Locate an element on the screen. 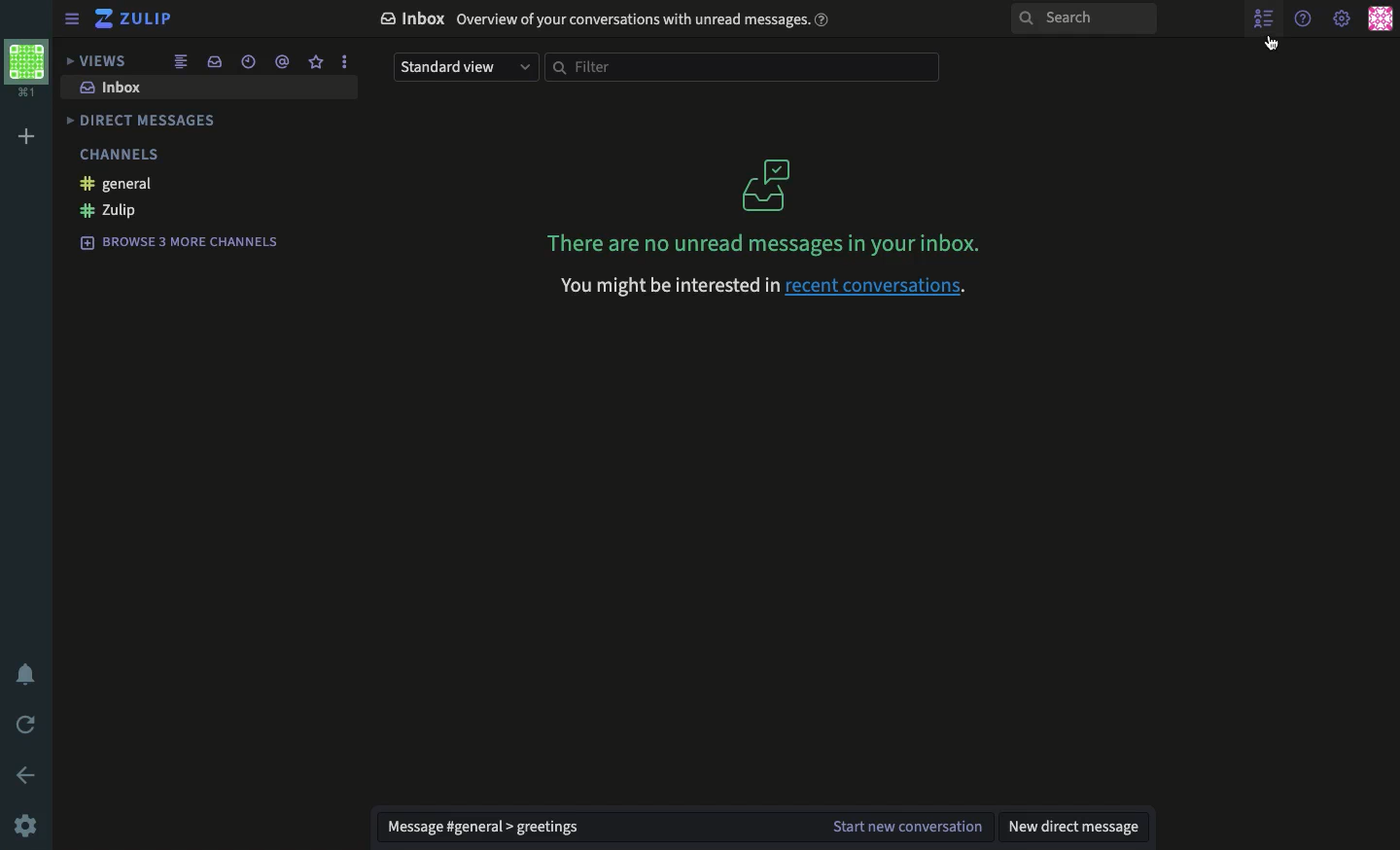 The width and height of the screenshot is (1400, 850). refresh is located at coordinates (28, 726).